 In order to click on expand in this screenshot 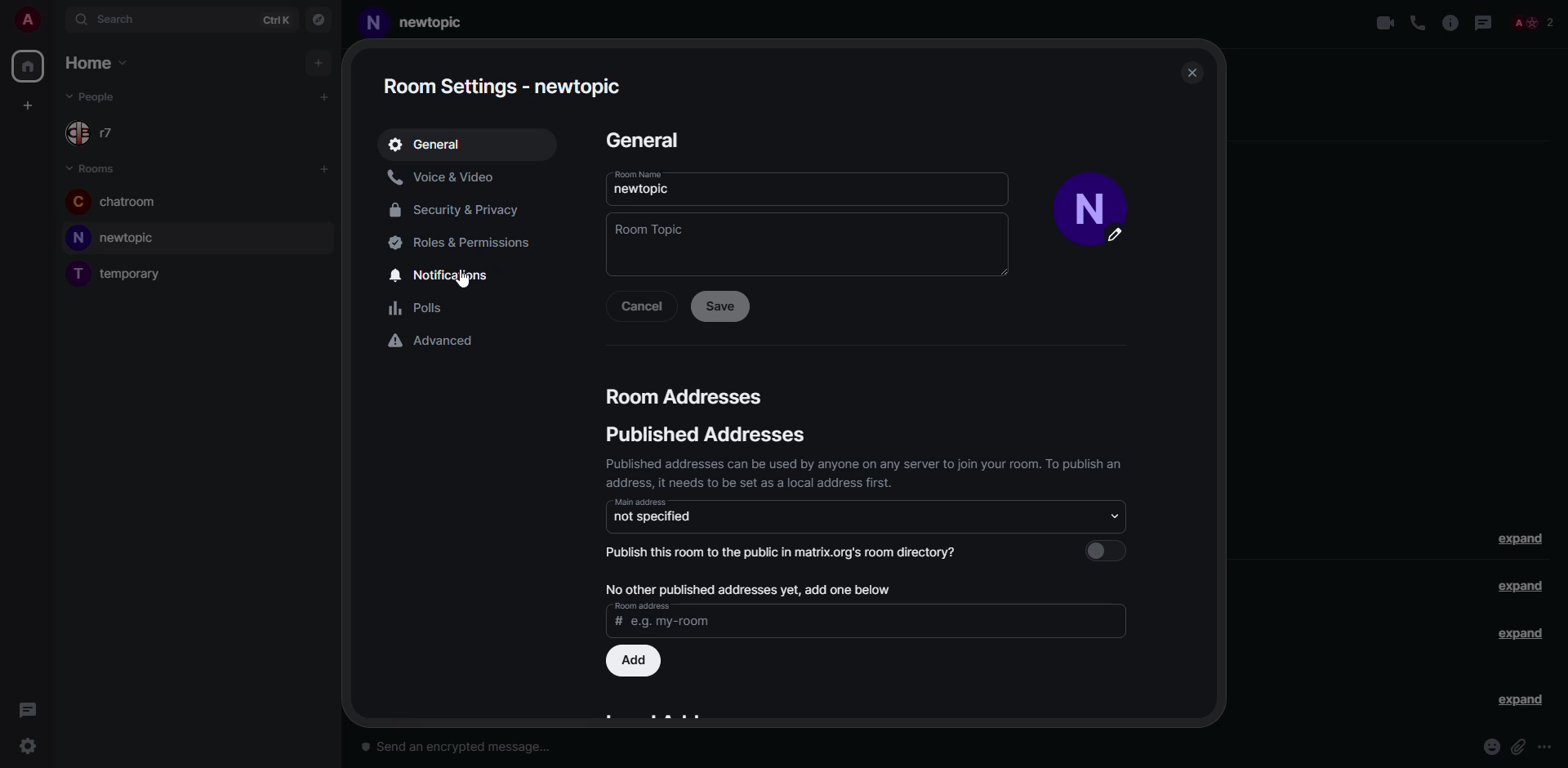, I will do `click(1517, 587)`.